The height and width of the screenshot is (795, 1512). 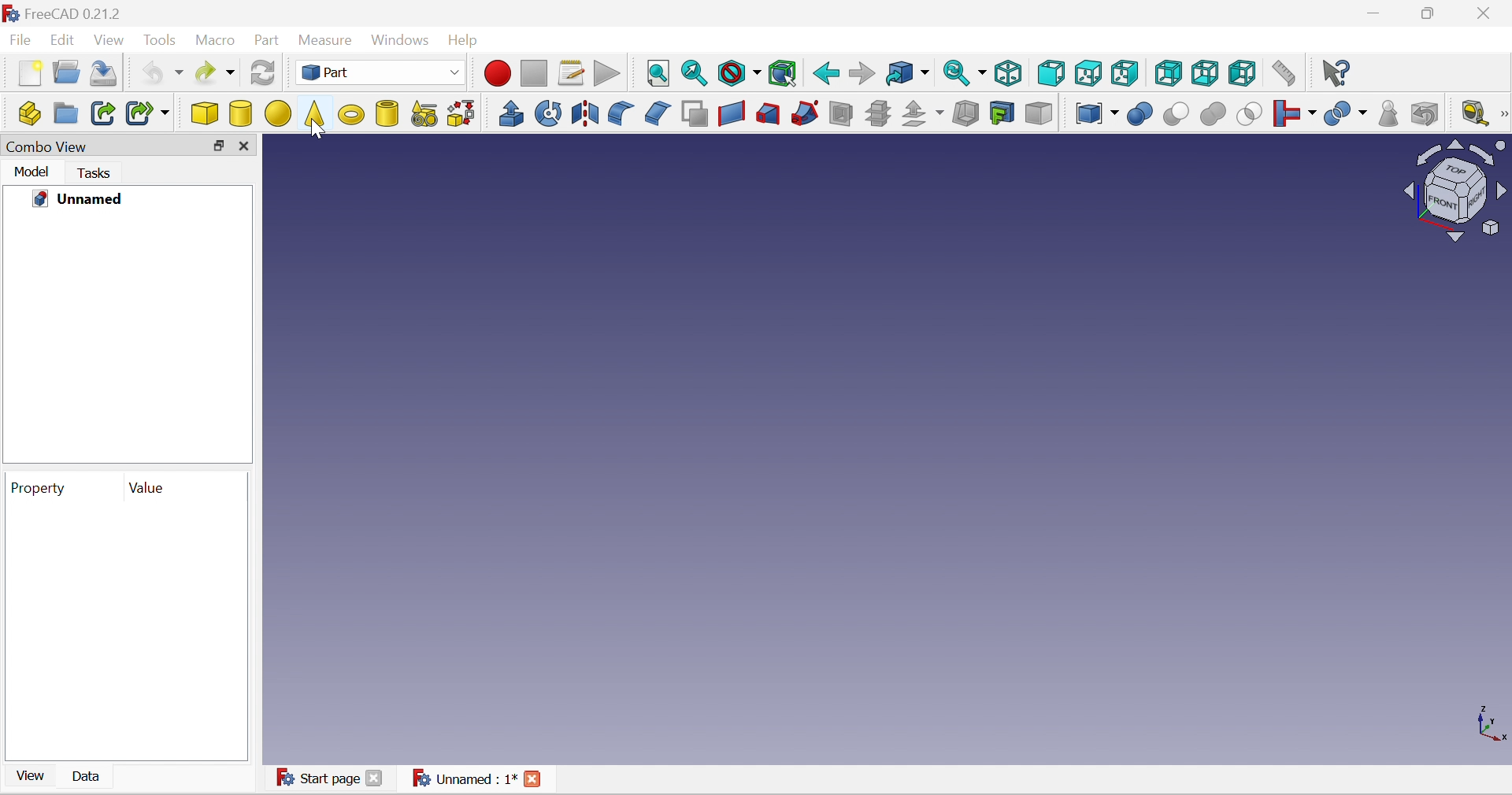 What do you see at coordinates (317, 113) in the screenshot?
I see `Cone` at bounding box center [317, 113].